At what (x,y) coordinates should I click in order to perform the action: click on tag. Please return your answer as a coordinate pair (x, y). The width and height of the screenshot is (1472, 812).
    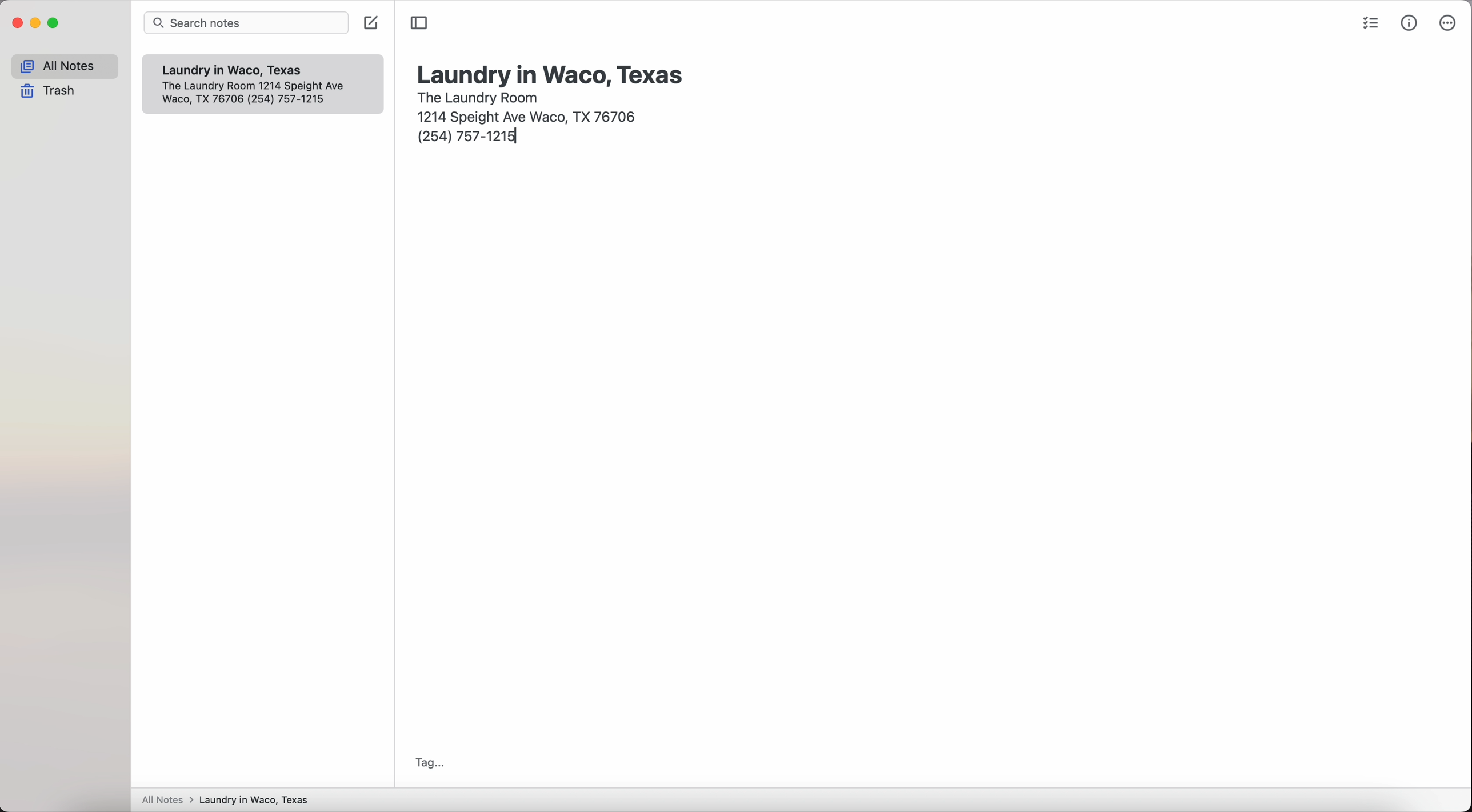
    Looking at the image, I should click on (426, 763).